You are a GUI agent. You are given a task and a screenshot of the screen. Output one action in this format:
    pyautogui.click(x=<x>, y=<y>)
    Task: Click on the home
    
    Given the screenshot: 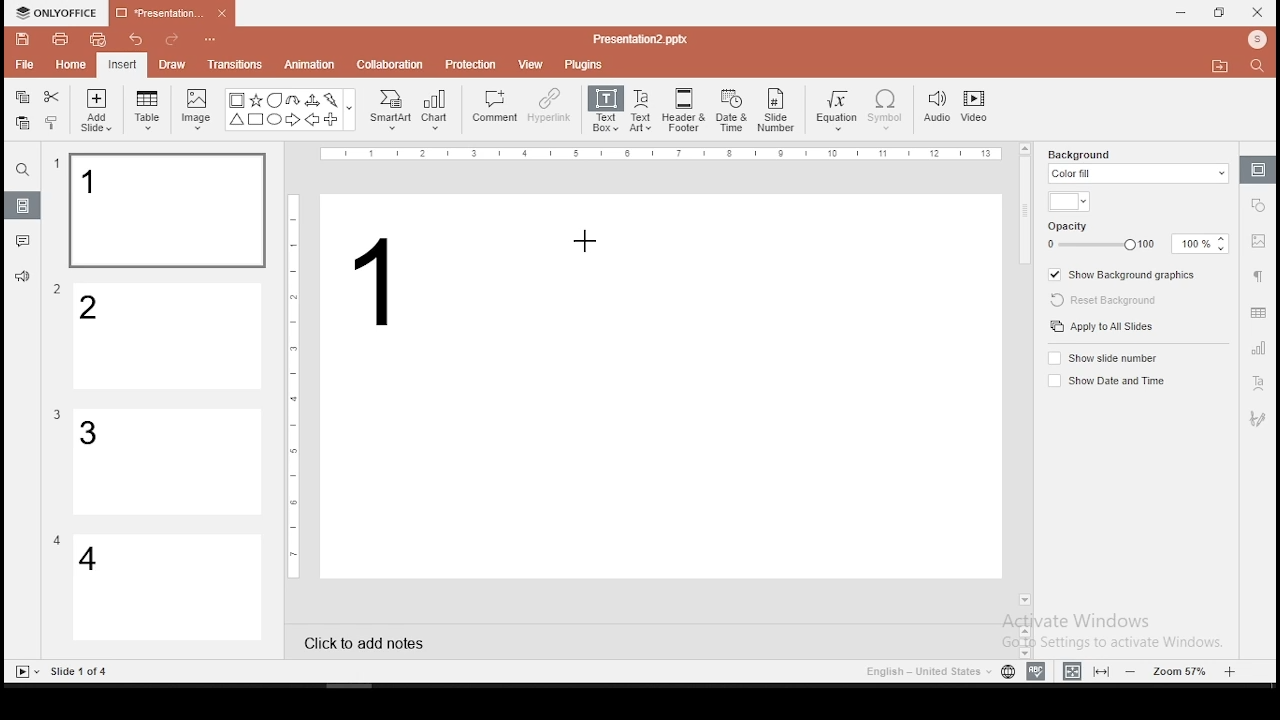 What is the action you would take?
    pyautogui.click(x=69, y=64)
    